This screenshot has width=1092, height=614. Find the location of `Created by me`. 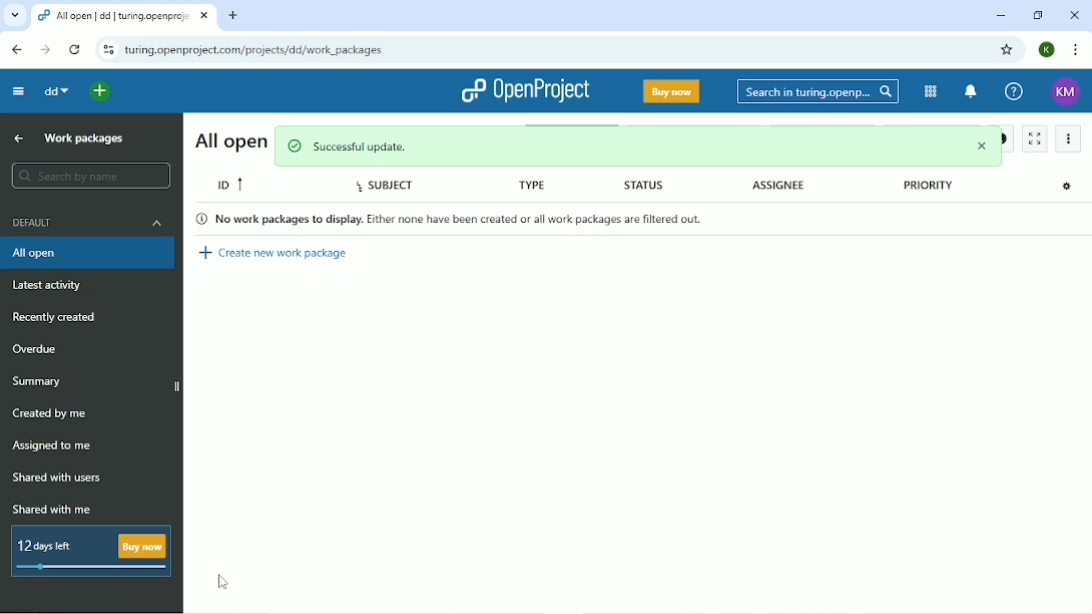

Created by me is located at coordinates (49, 412).